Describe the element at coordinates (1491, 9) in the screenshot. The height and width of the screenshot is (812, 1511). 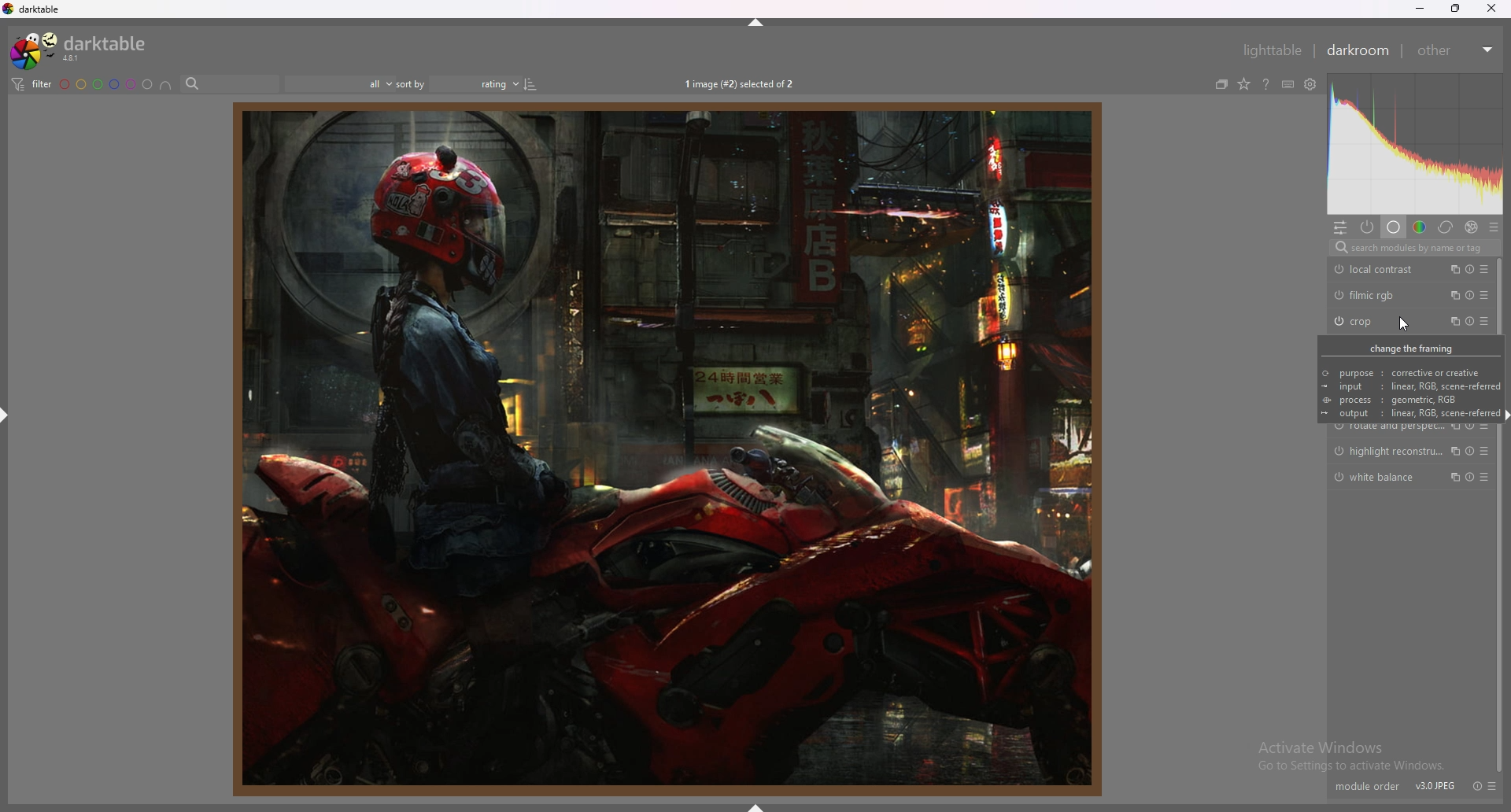
I see `close` at that location.